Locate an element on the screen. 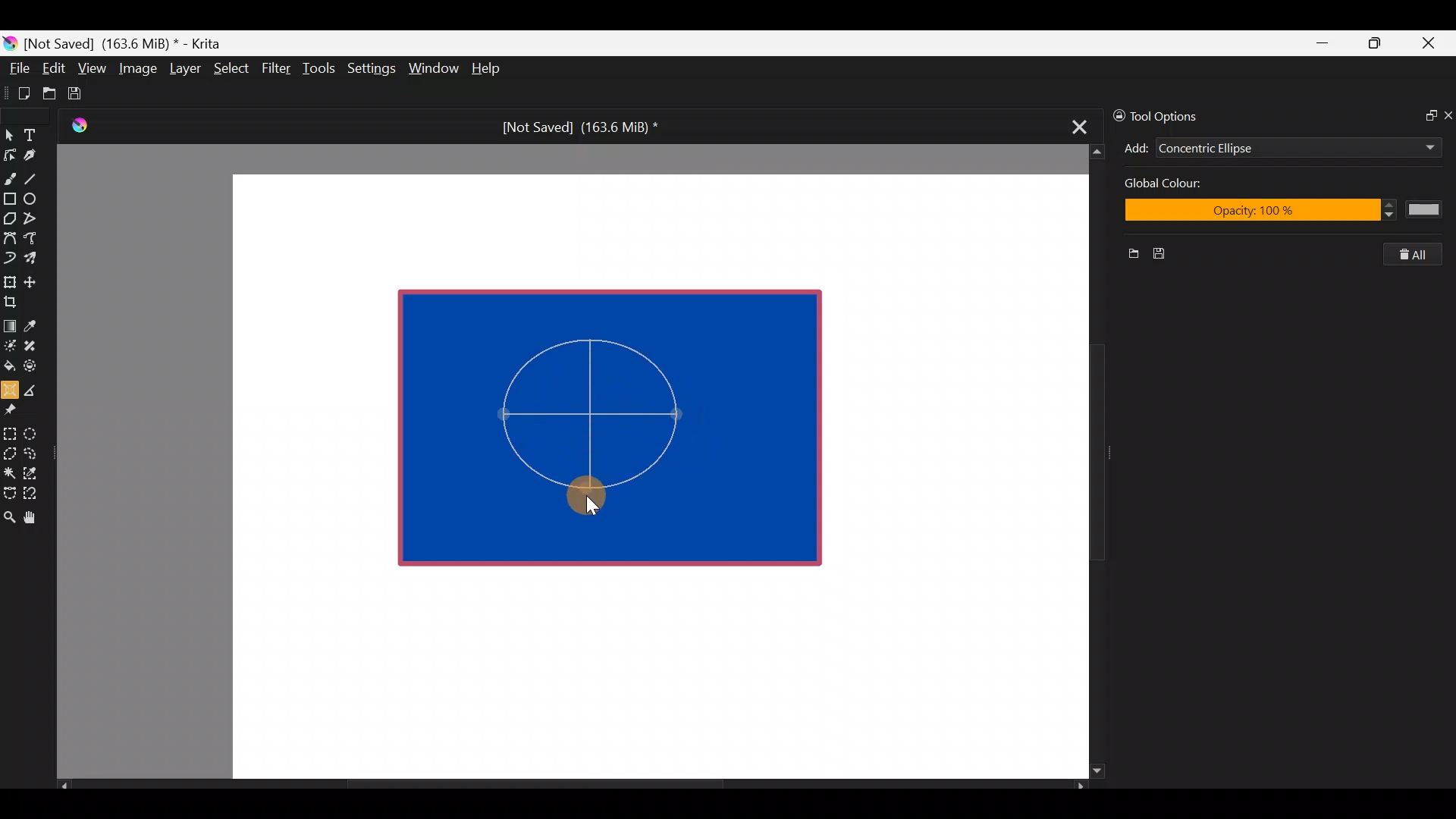 Image resolution: width=1456 pixels, height=819 pixels. Polyline tool is located at coordinates (36, 219).